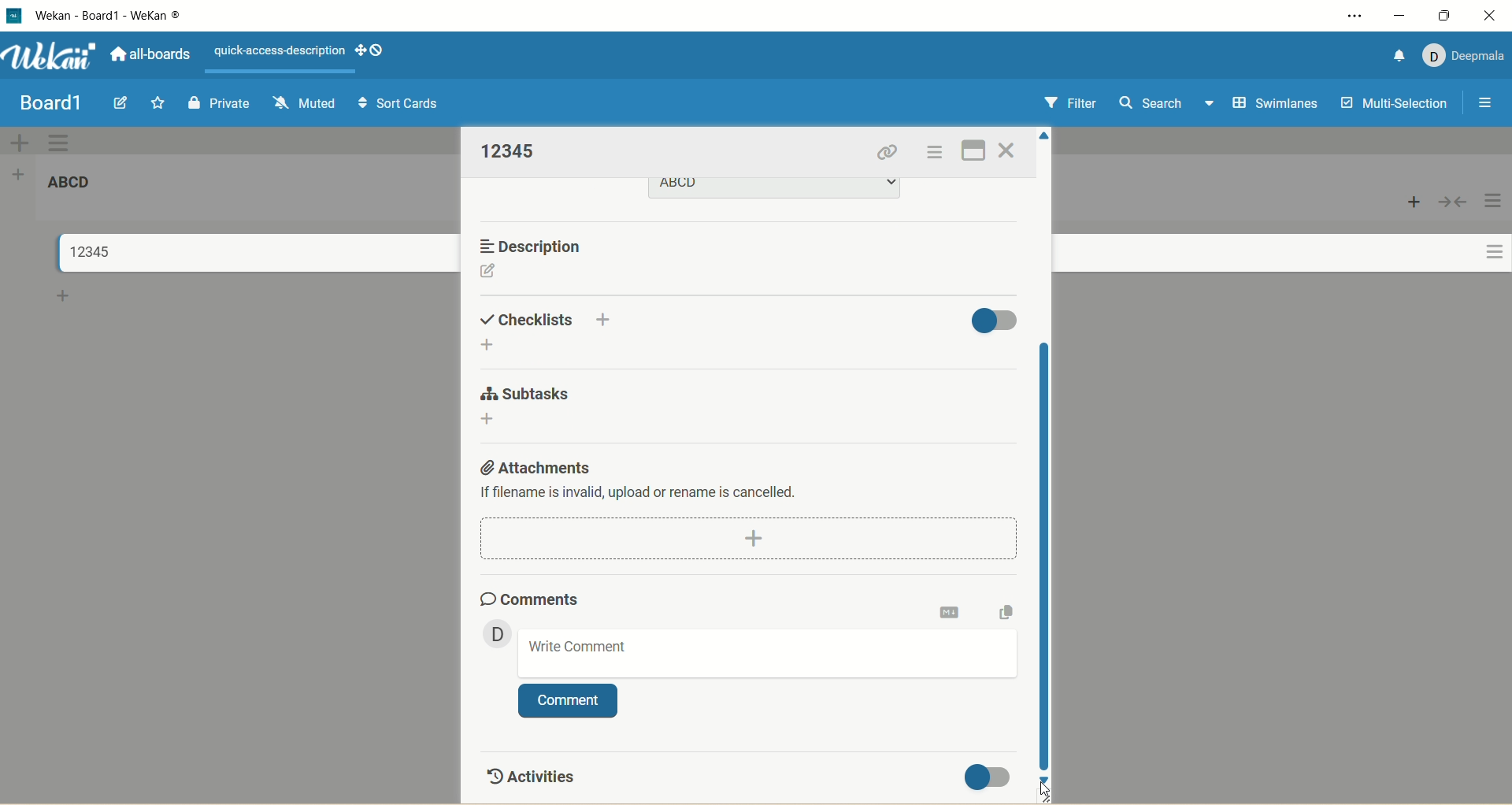 The height and width of the screenshot is (805, 1512). What do you see at coordinates (888, 154) in the screenshot?
I see `copy card link to clipboard` at bounding box center [888, 154].